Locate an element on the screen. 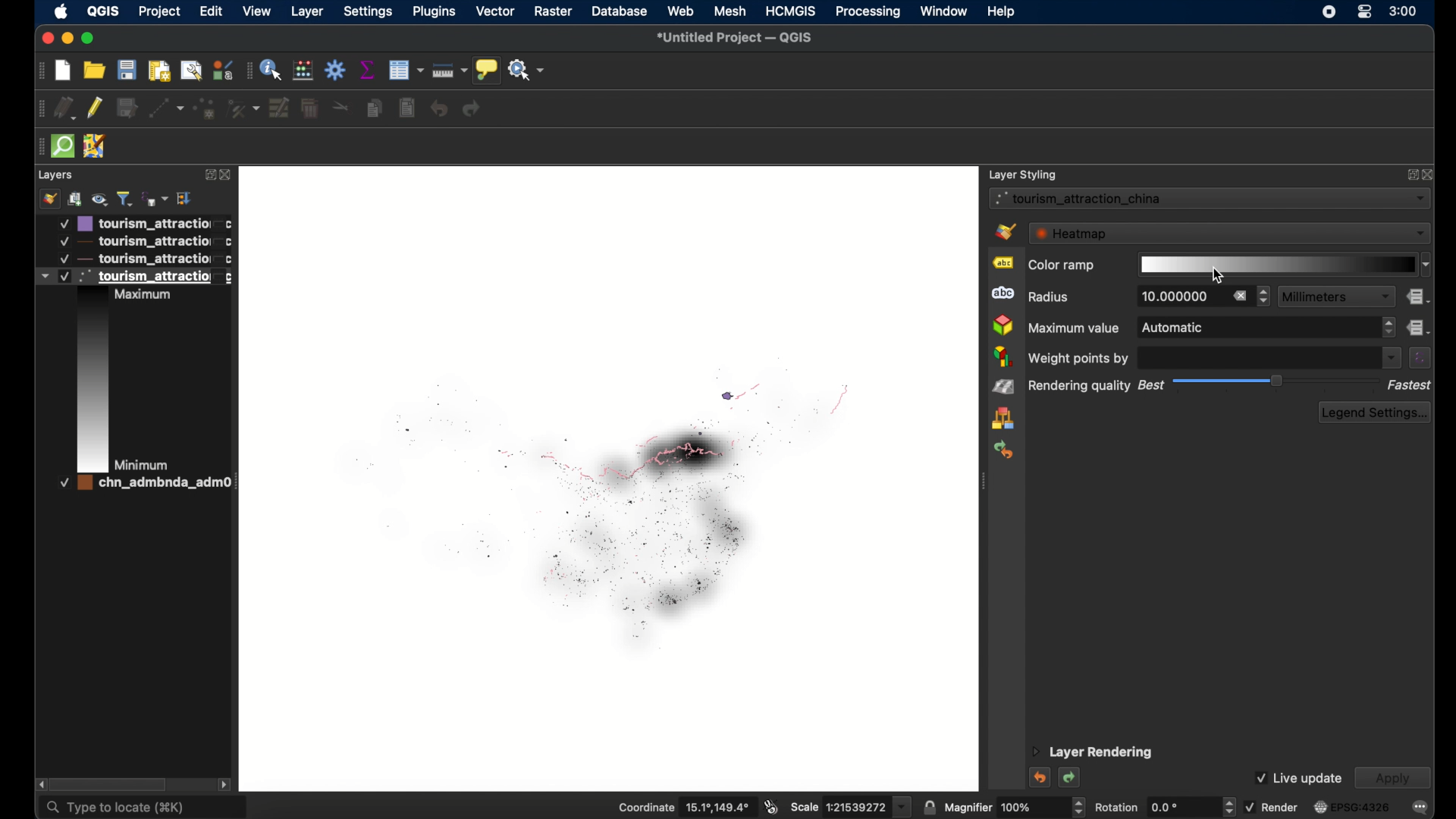  color ramp menu is located at coordinates (1285, 265).